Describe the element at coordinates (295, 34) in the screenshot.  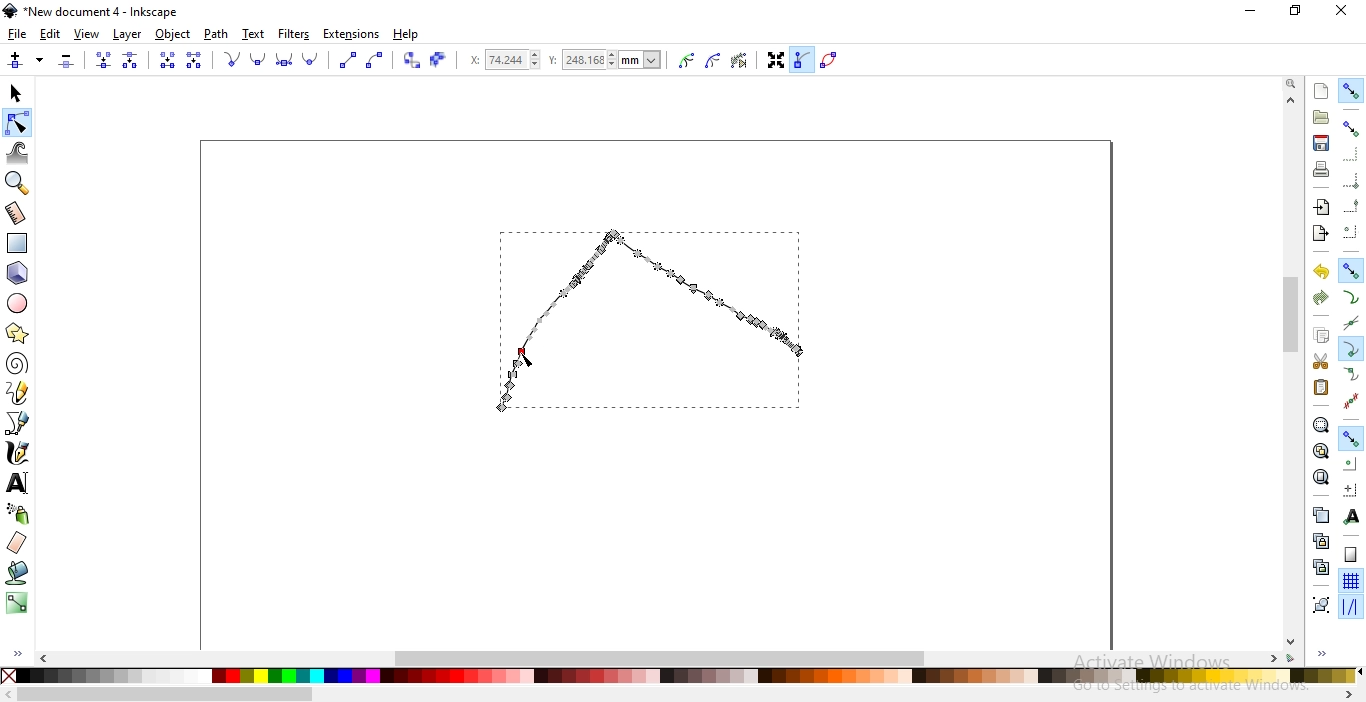
I see `filters` at that location.